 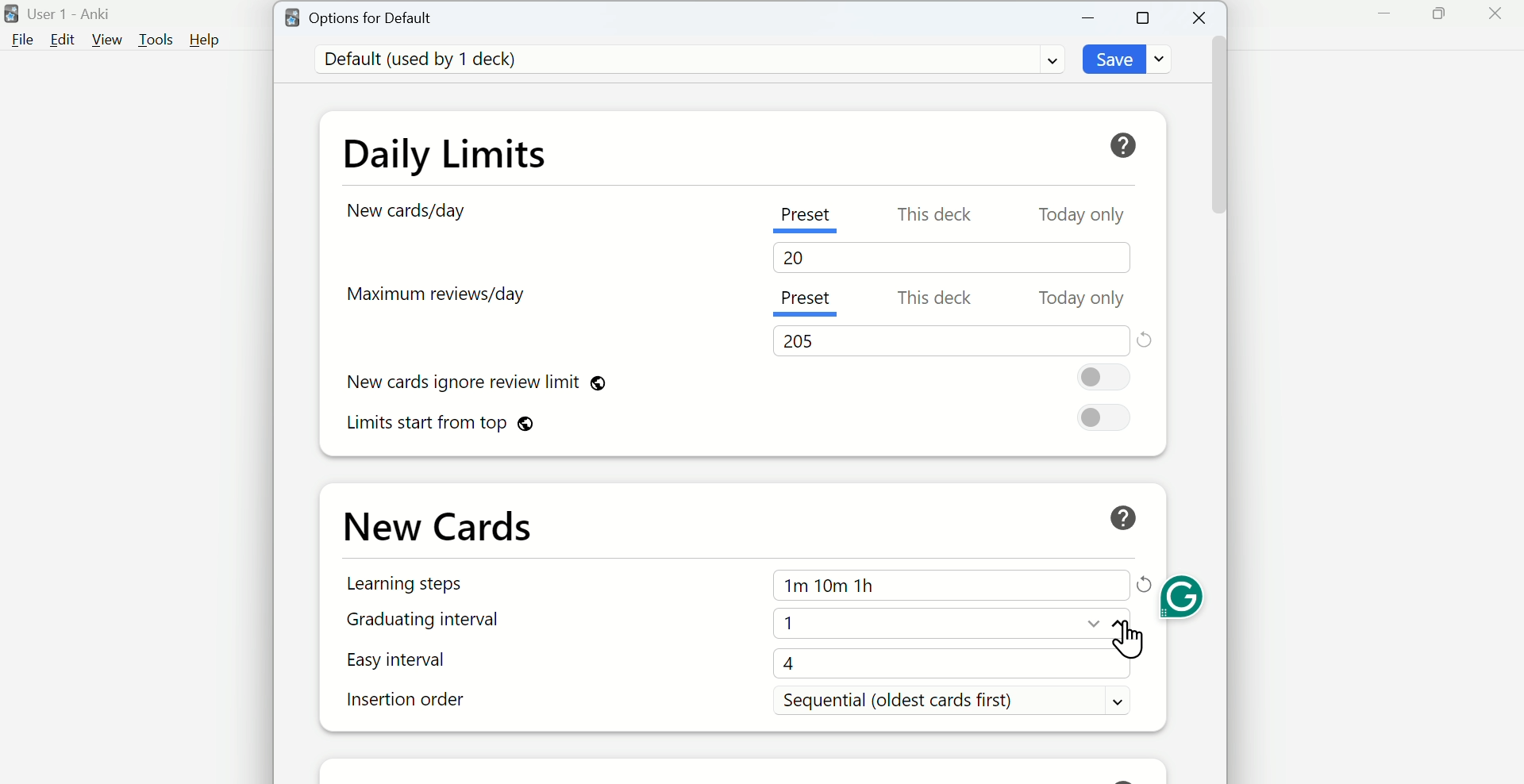 I want to click on This deck, so click(x=932, y=300).